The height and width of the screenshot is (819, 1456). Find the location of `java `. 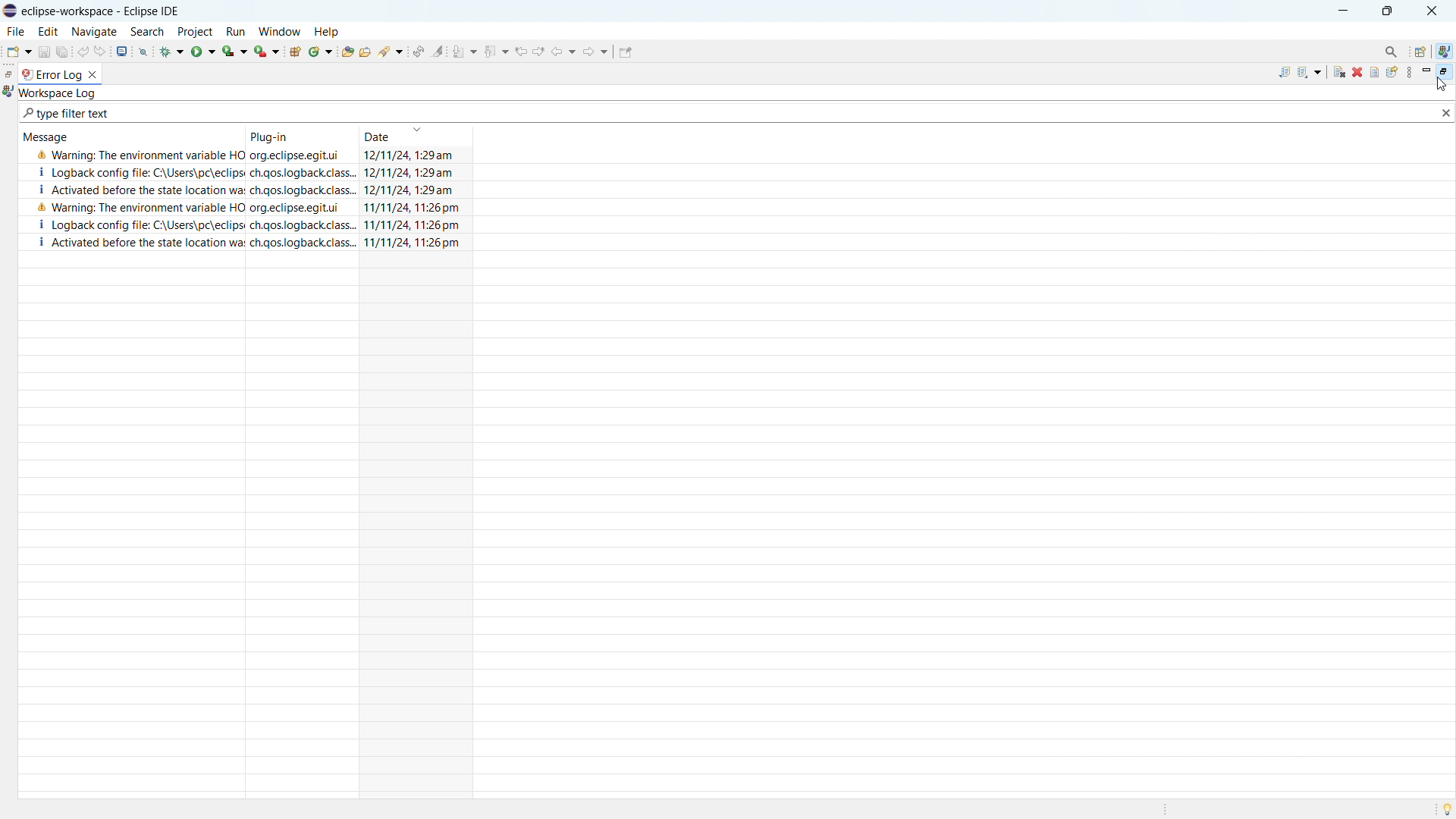

java  is located at coordinates (1449, 46).